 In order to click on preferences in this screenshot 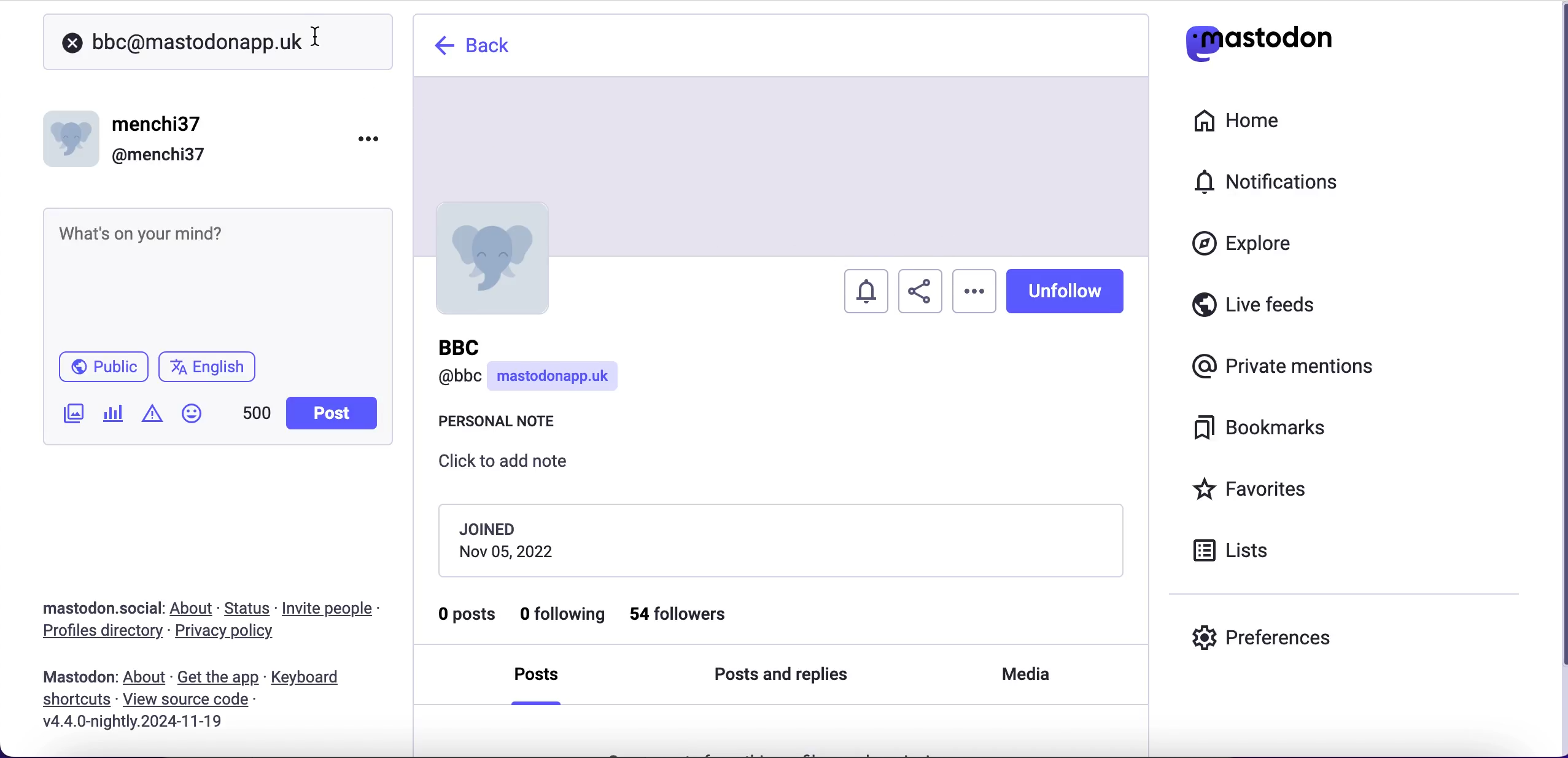, I will do `click(1262, 637)`.